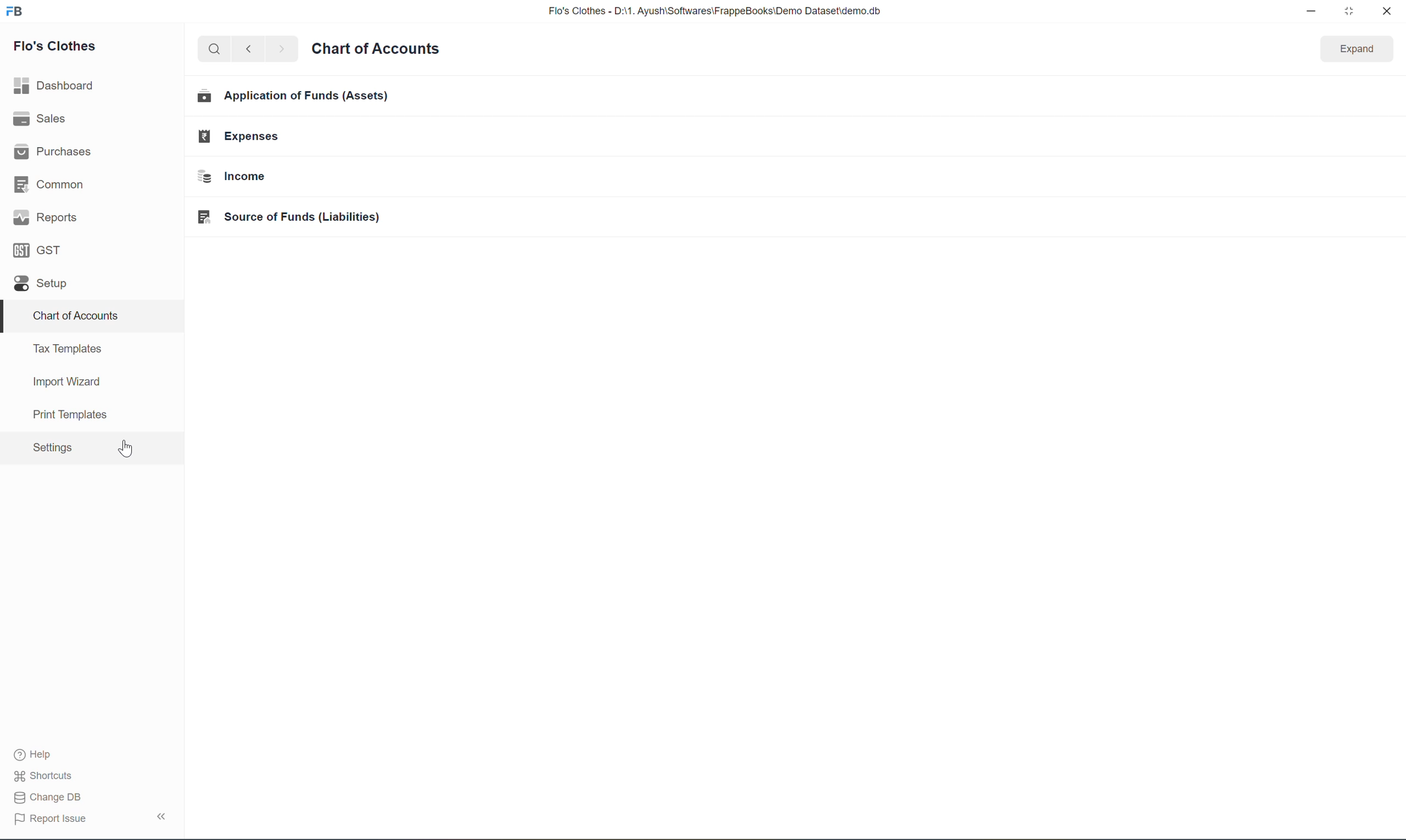 This screenshot has height=840, width=1406. I want to click on backward, so click(250, 49).